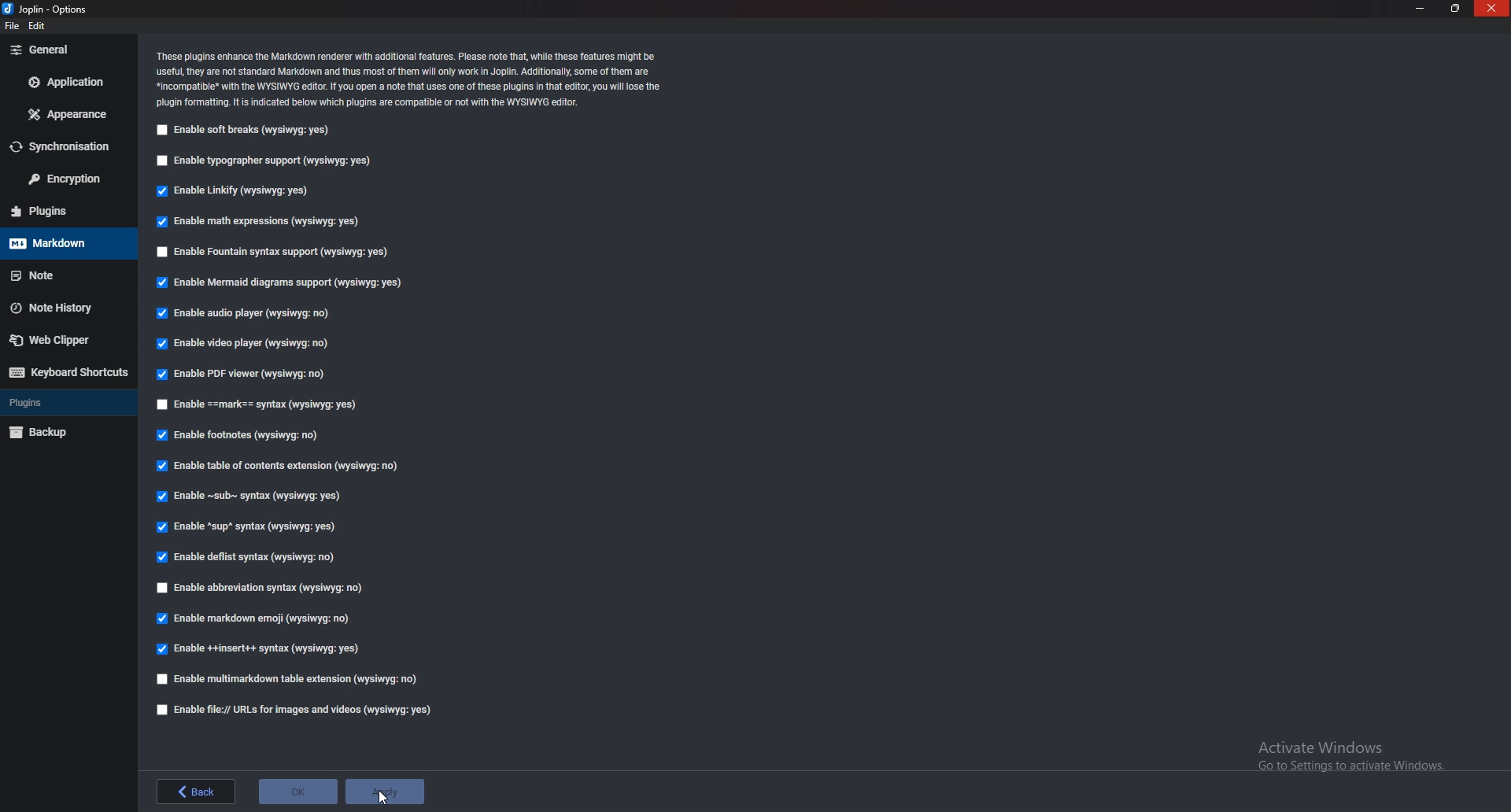 The height and width of the screenshot is (812, 1511). Describe the element at coordinates (198, 790) in the screenshot. I see `back` at that location.